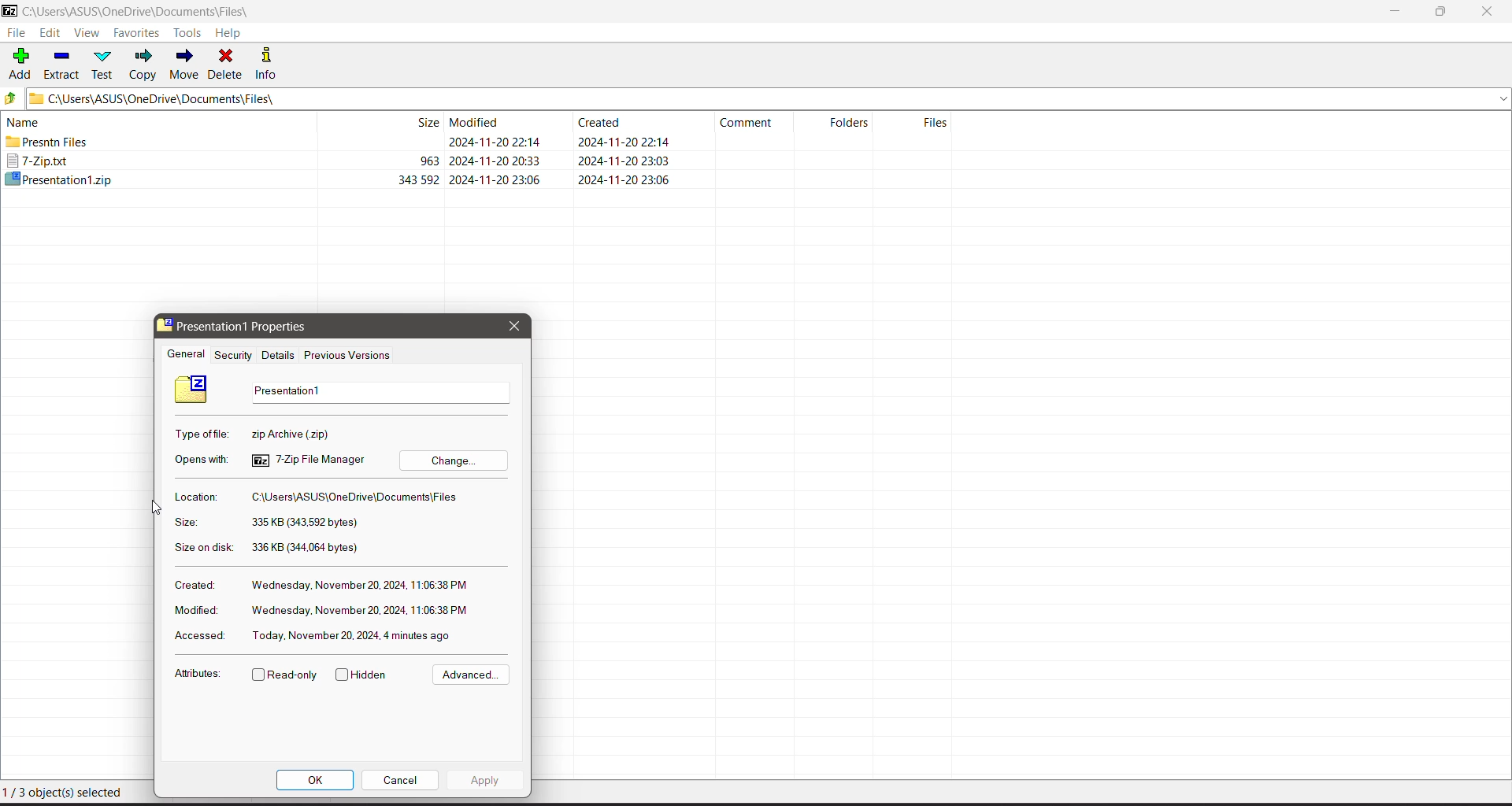 The height and width of the screenshot is (806, 1512). Describe the element at coordinates (279, 354) in the screenshot. I see `Details` at that location.